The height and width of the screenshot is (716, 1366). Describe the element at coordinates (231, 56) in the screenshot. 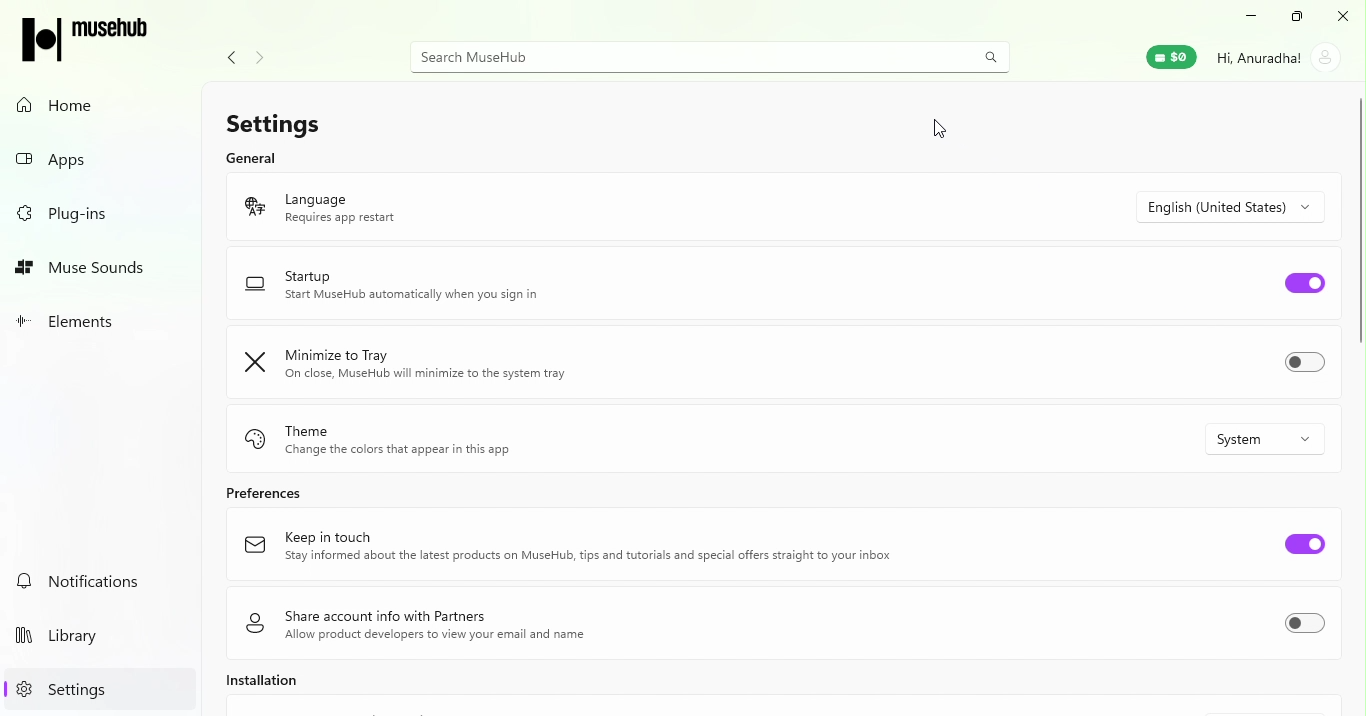

I see `Navigate back` at that location.